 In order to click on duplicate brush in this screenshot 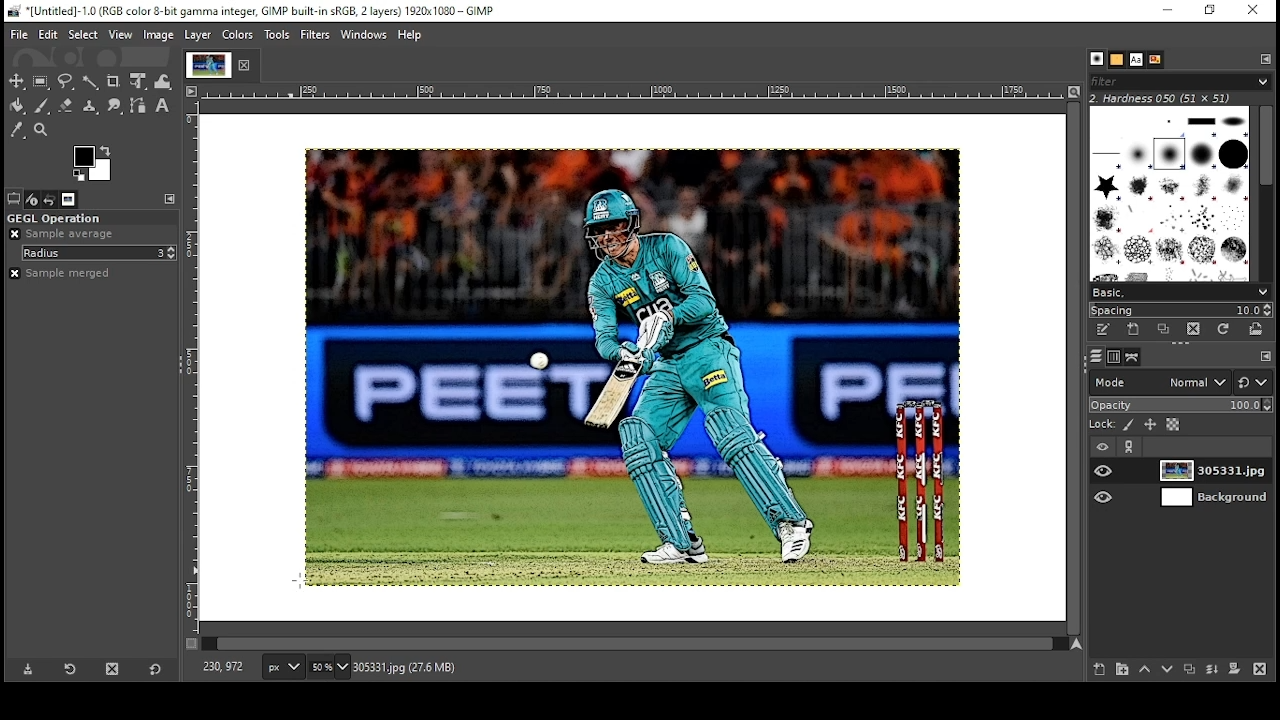, I will do `click(1164, 330)`.